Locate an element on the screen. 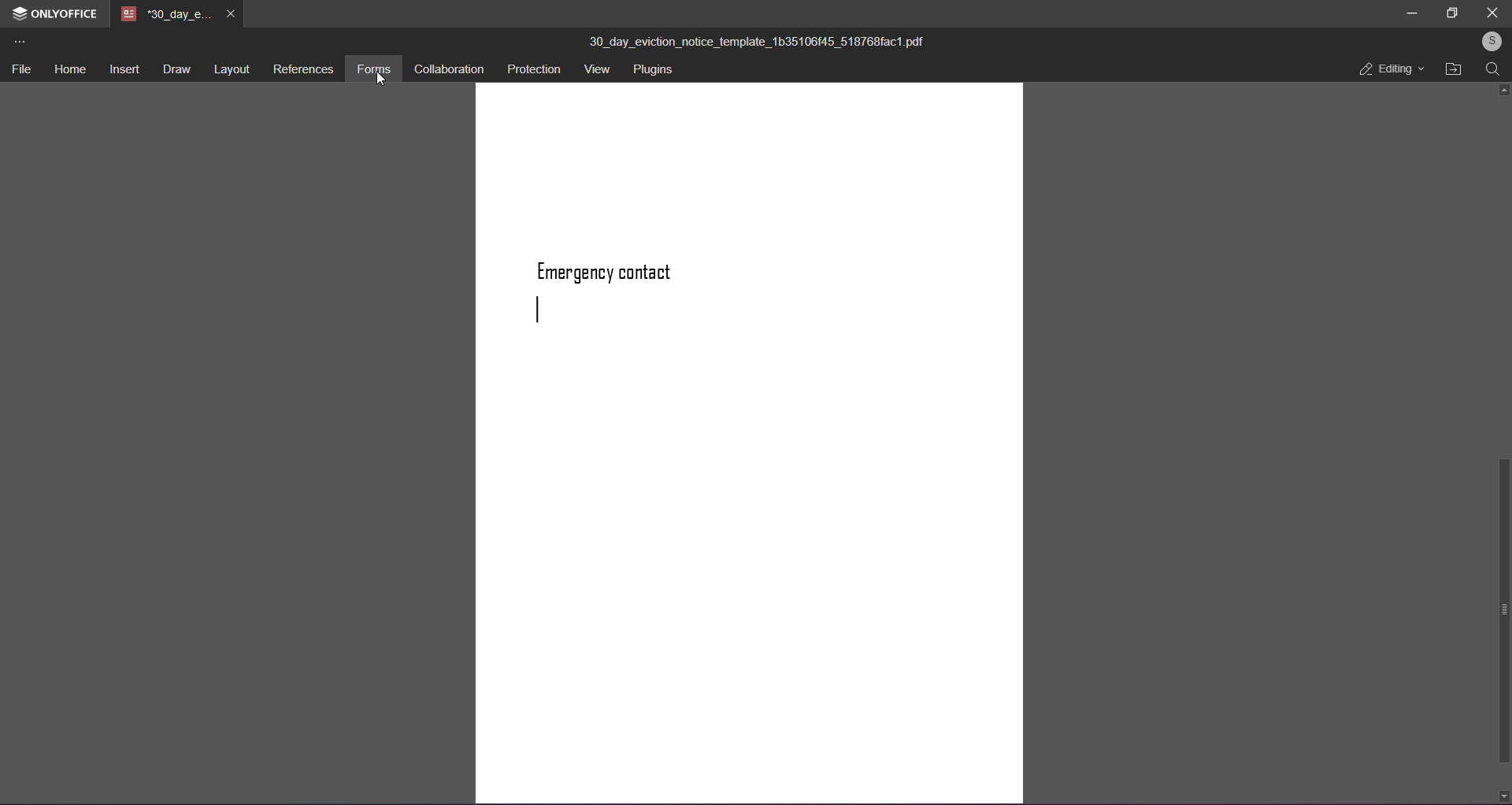 Image resolution: width=1512 pixels, height=805 pixels. forms is located at coordinates (372, 71).